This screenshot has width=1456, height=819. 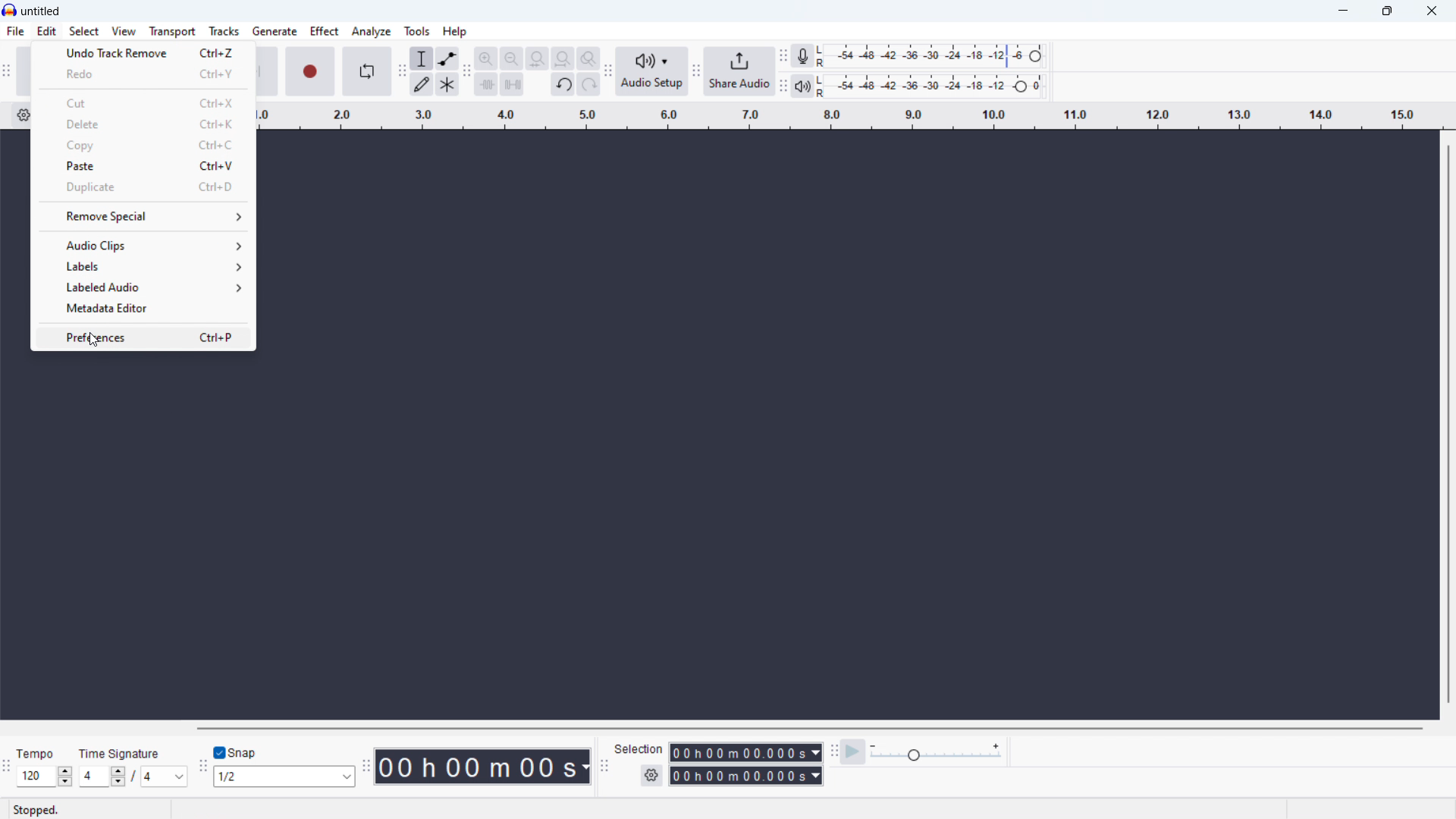 I want to click on edit, so click(x=48, y=32).